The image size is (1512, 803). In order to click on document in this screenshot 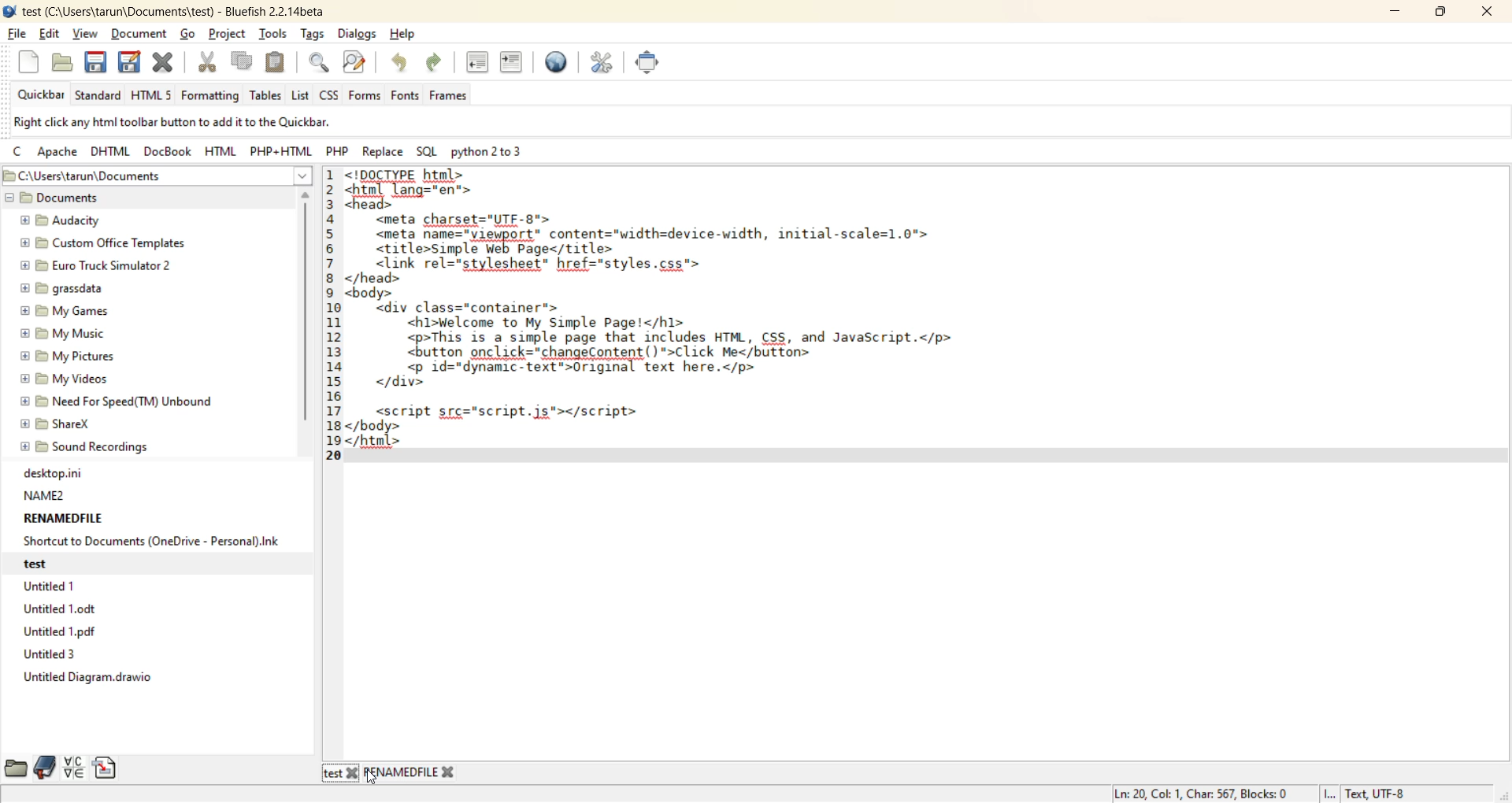, I will do `click(143, 33)`.